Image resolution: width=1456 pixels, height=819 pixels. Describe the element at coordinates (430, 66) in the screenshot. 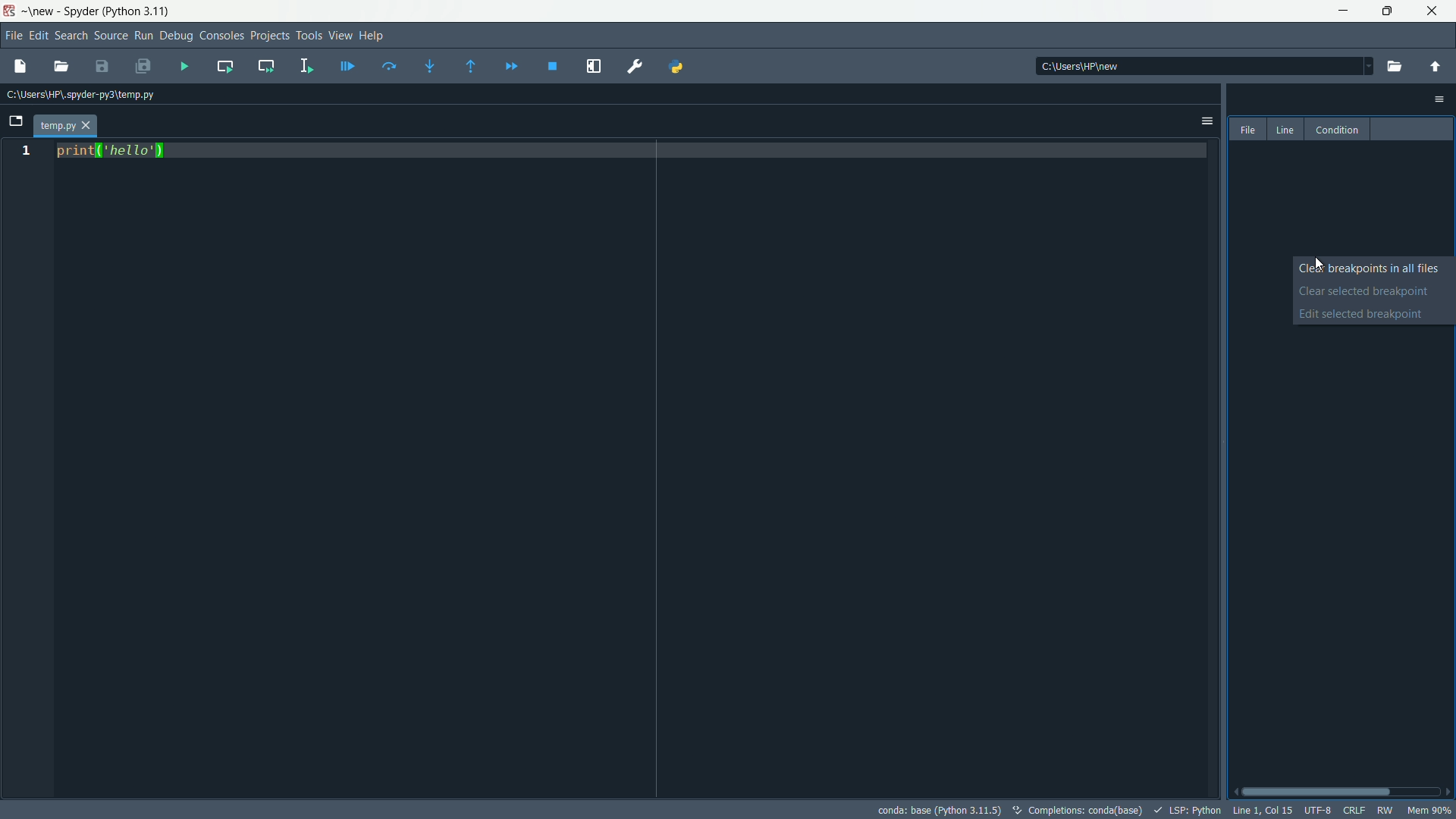

I see `step into function` at that location.